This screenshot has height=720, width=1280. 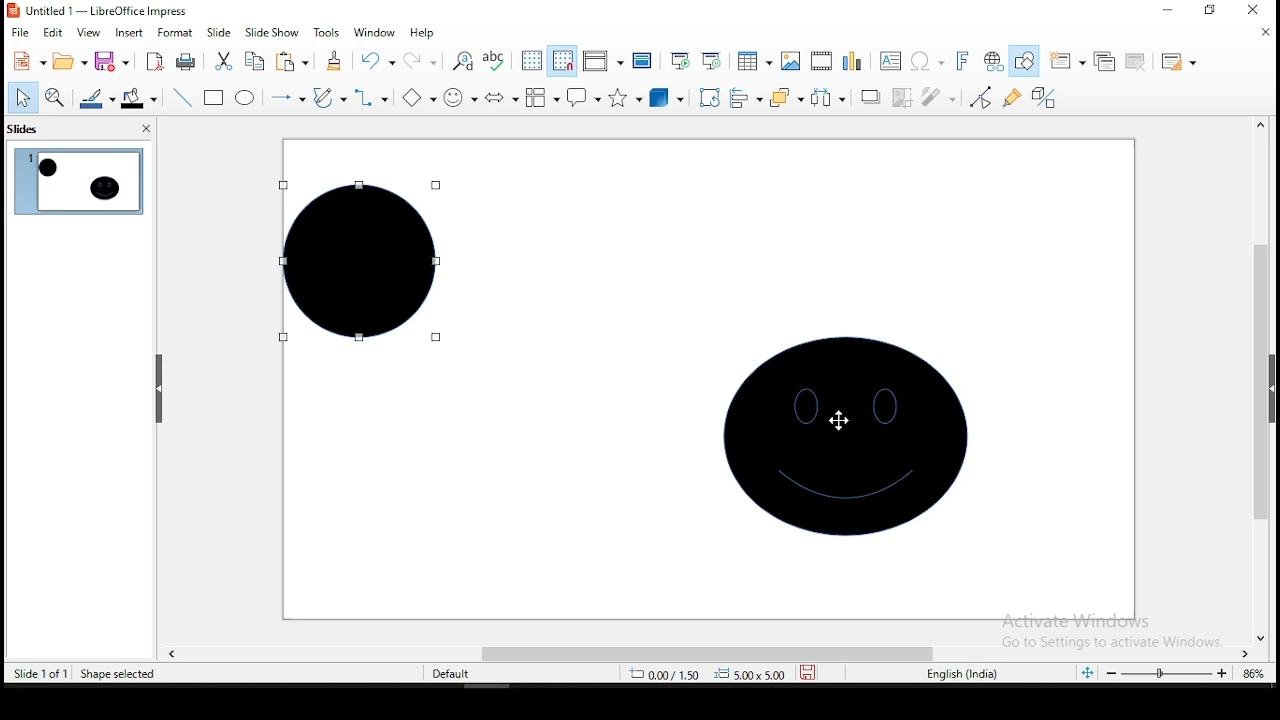 What do you see at coordinates (1014, 97) in the screenshot?
I see `show gluepoint draw functions` at bounding box center [1014, 97].